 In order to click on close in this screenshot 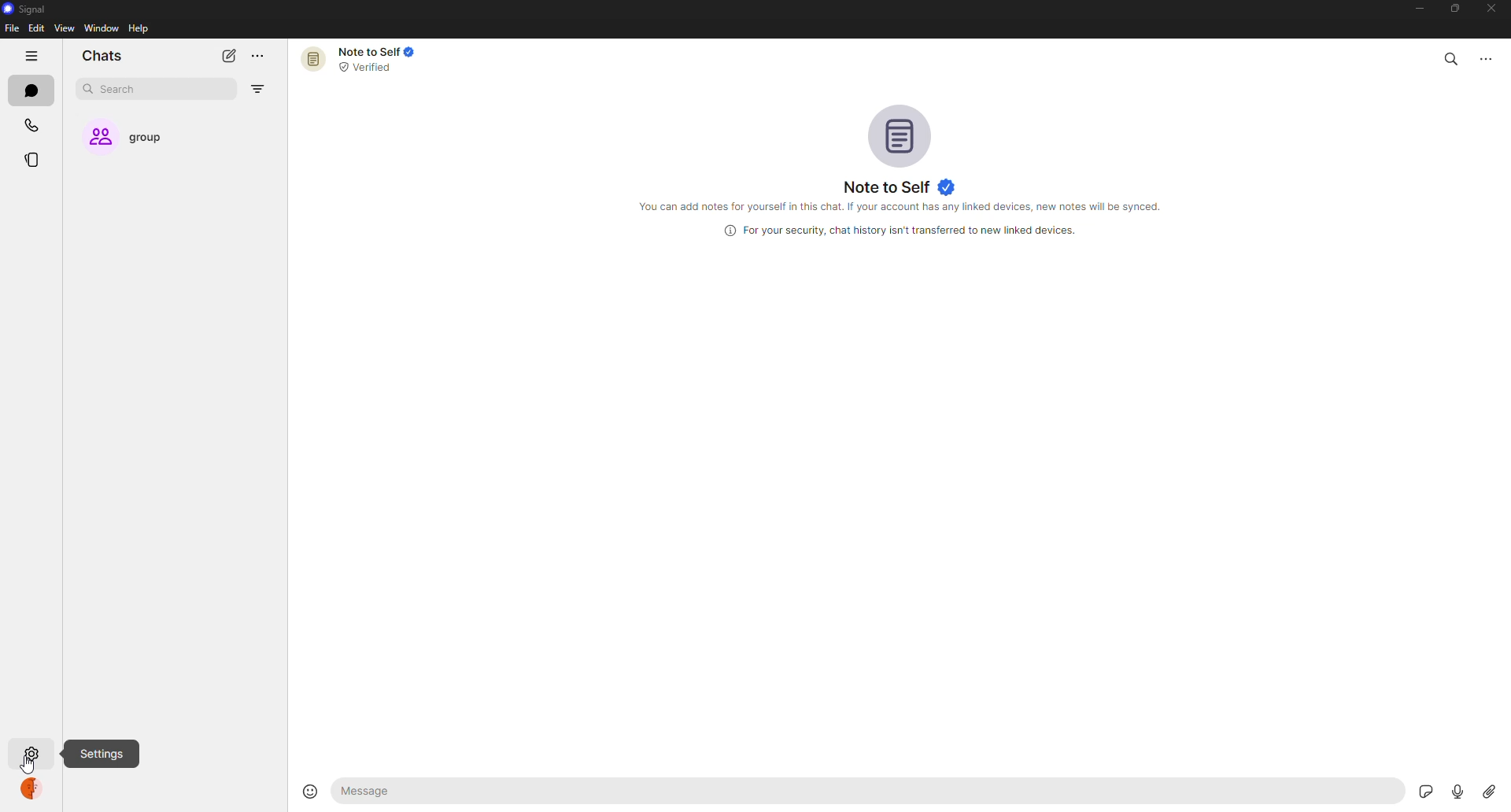, I will do `click(1494, 9)`.